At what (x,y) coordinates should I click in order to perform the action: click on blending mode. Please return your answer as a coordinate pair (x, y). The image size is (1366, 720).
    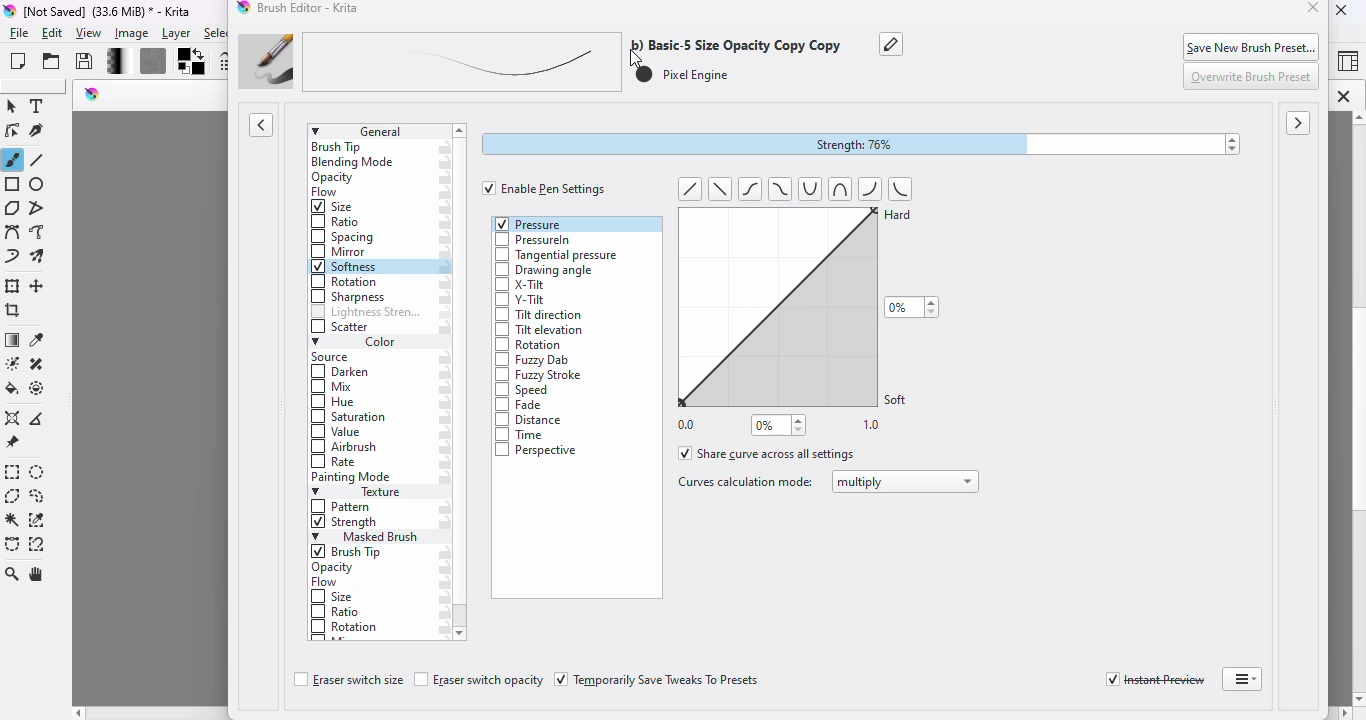
    Looking at the image, I should click on (354, 163).